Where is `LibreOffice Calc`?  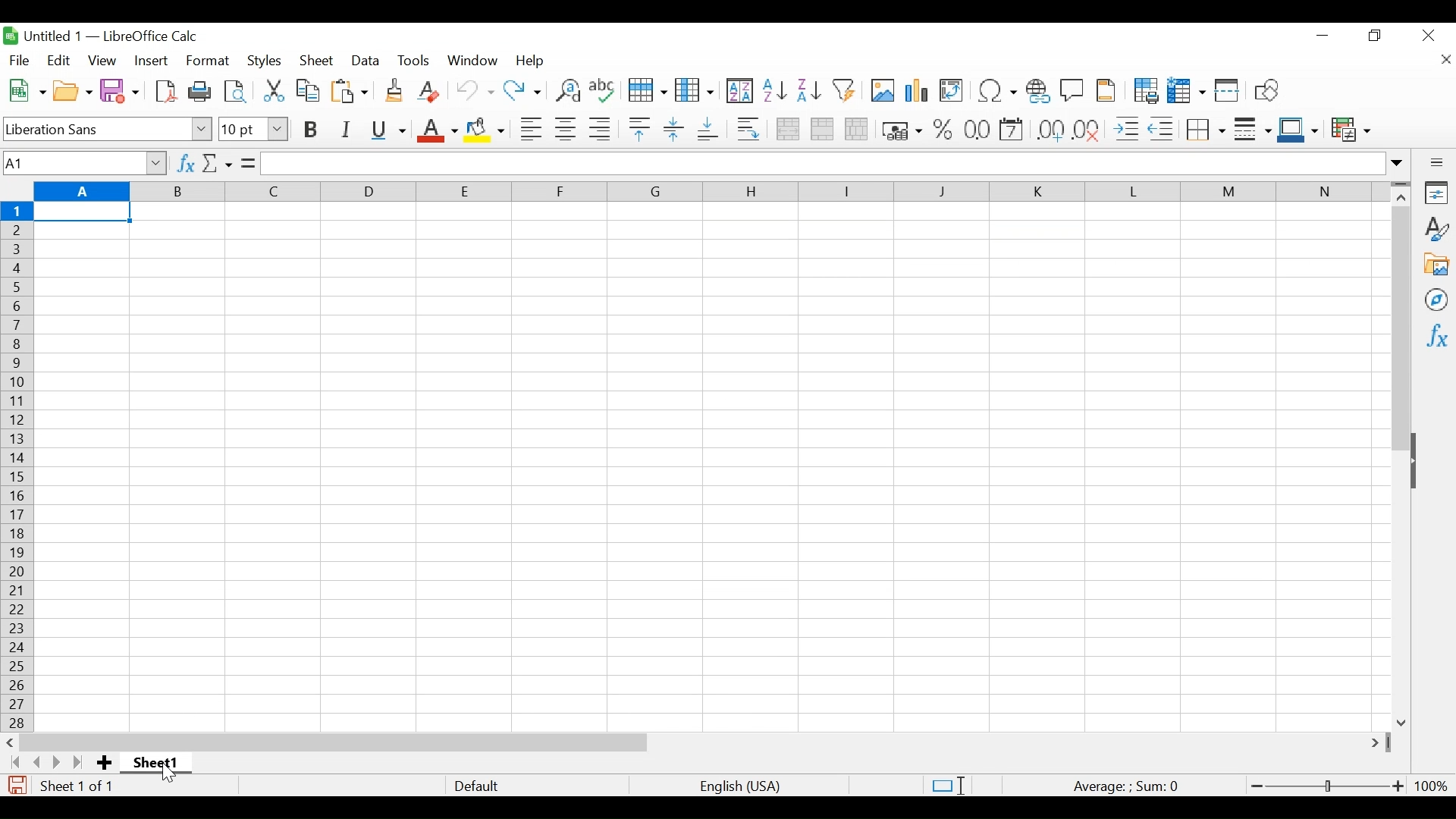 LibreOffice Calc is located at coordinates (149, 37).